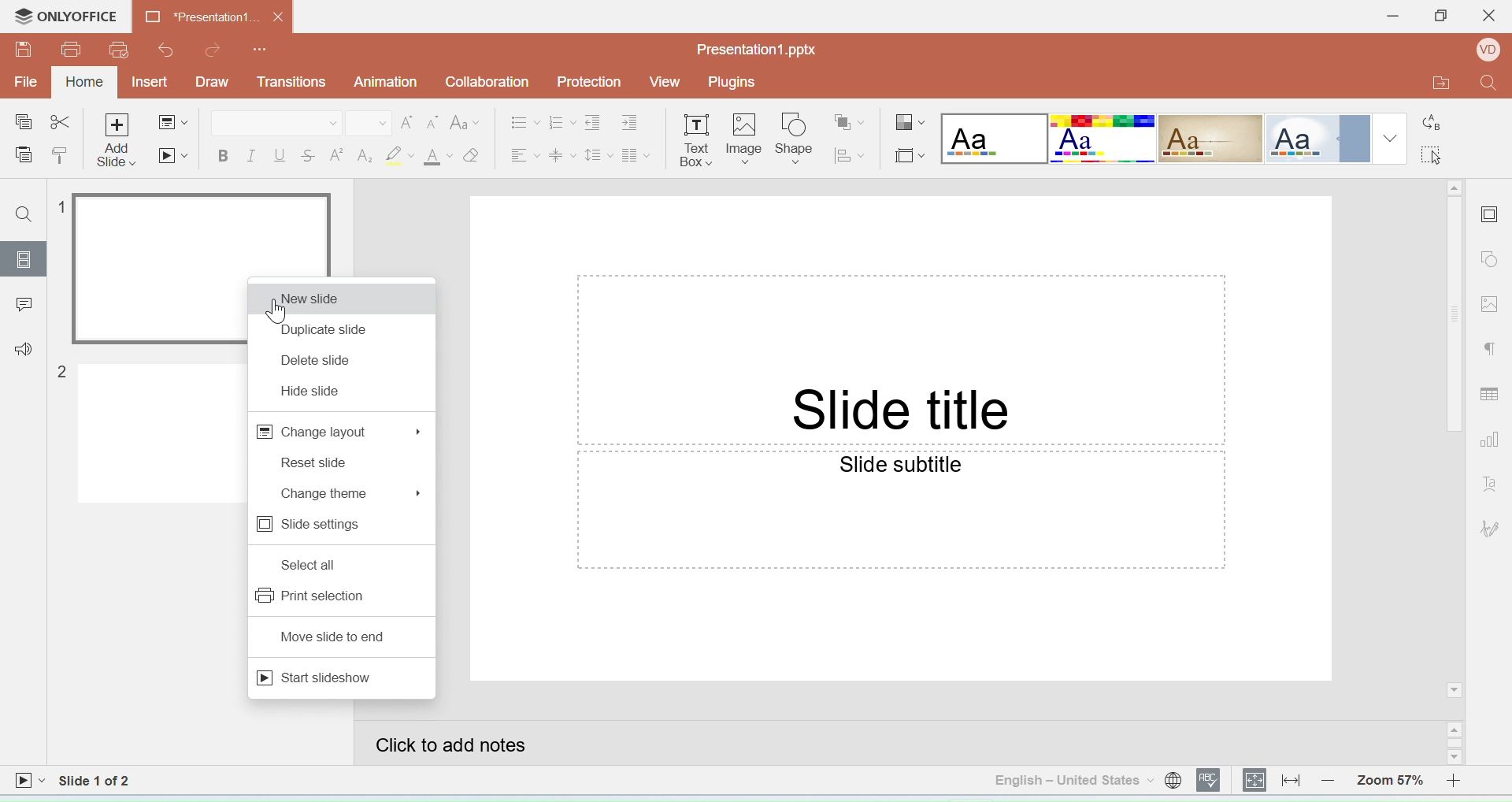  Describe the element at coordinates (1484, 52) in the screenshot. I see `Profile Name` at that location.